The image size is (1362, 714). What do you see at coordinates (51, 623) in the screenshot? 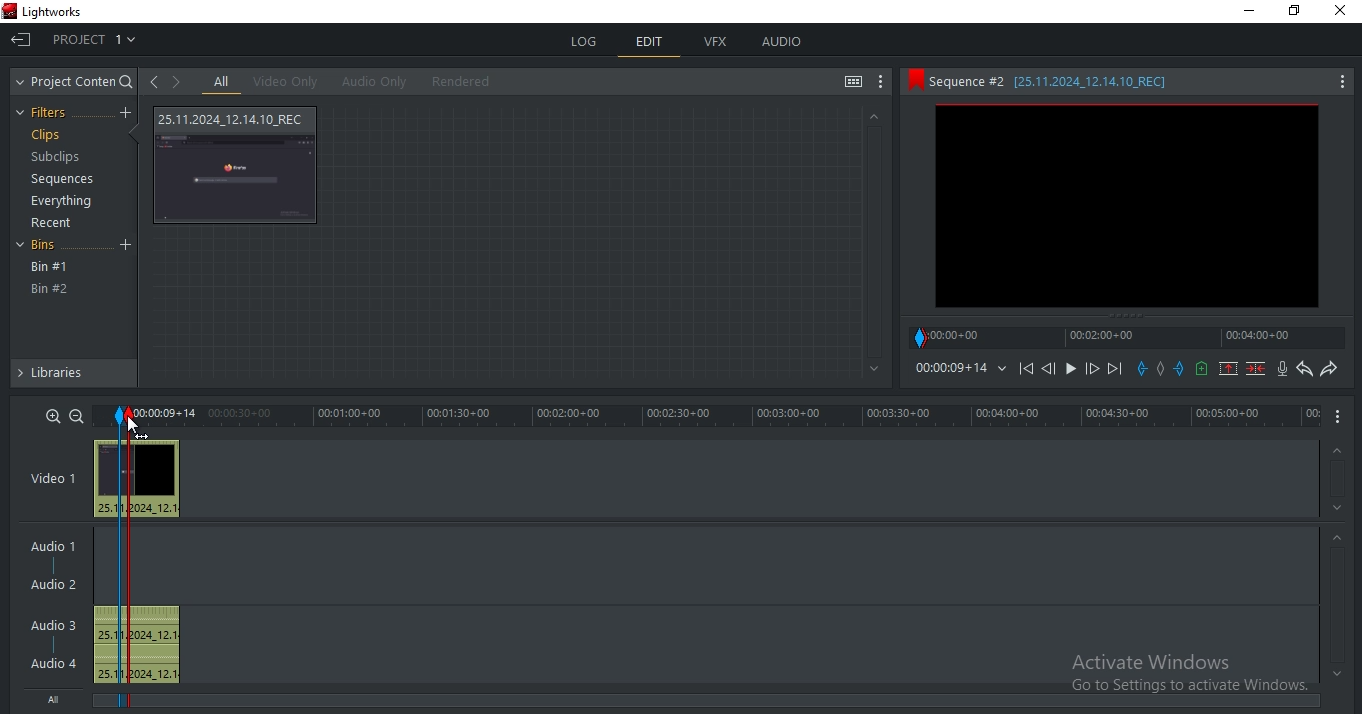
I see `Audio 3` at bounding box center [51, 623].